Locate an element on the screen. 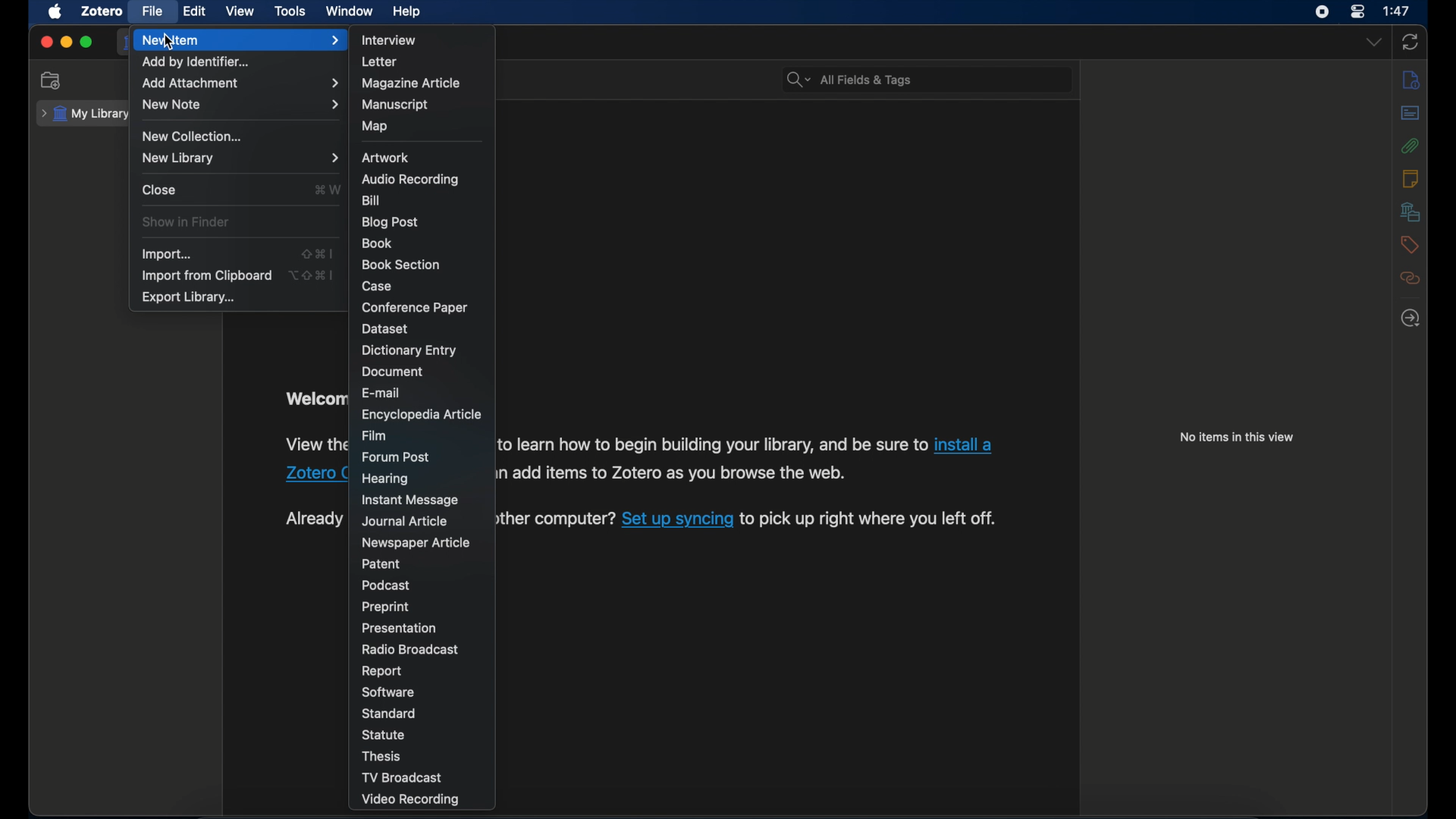 Image resolution: width=1456 pixels, height=819 pixels. interview is located at coordinates (390, 40).